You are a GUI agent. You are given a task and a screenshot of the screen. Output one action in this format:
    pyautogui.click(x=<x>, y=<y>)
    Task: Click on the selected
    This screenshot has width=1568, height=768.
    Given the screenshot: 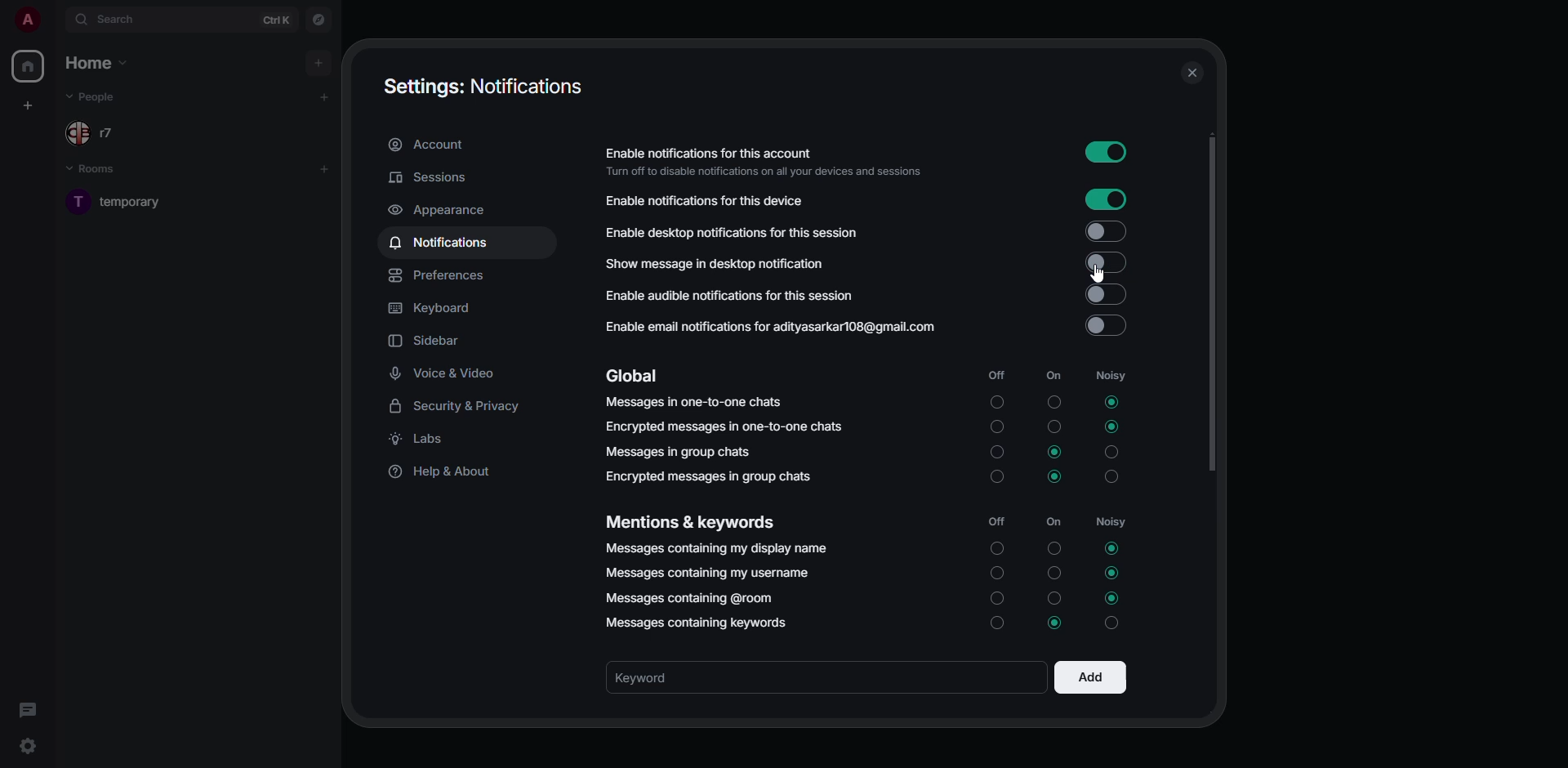 What is the action you would take?
    pyautogui.click(x=1055, y=453)
    